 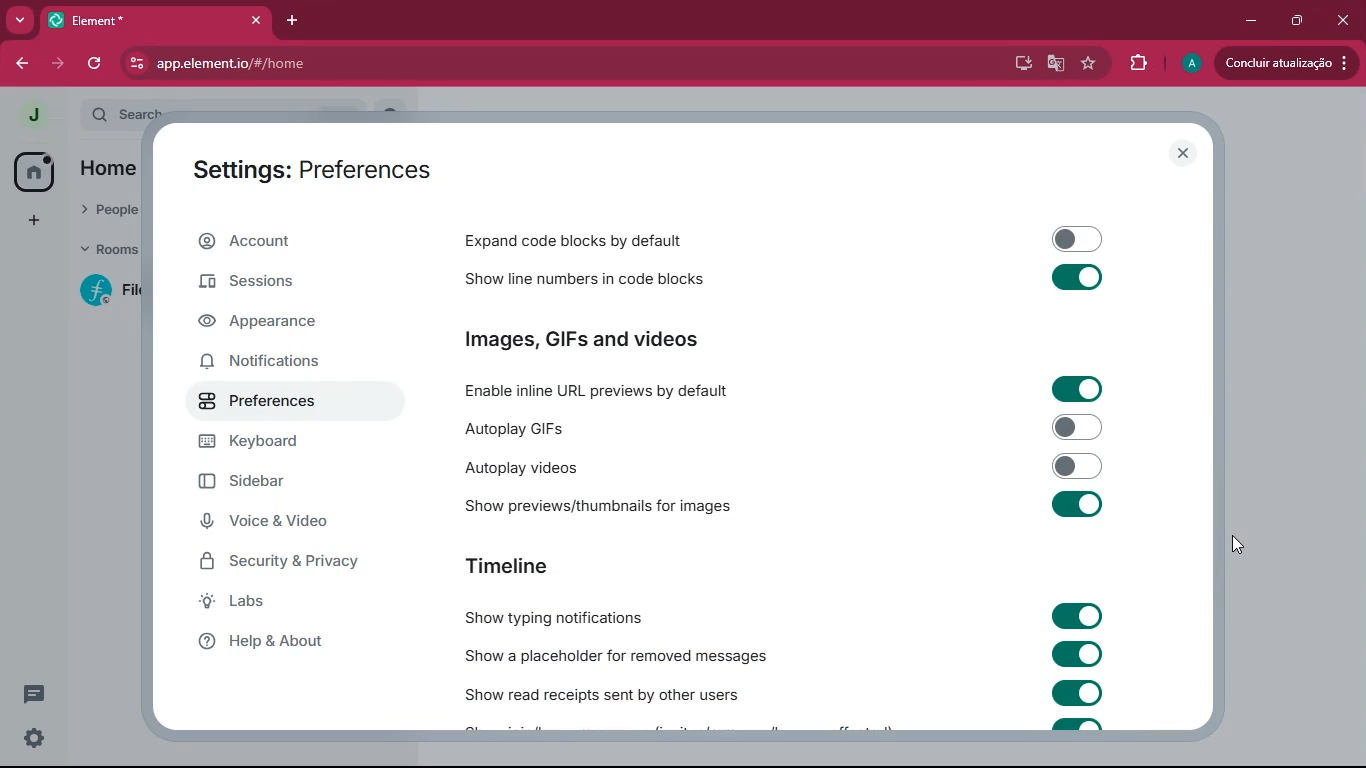 I want to click on show line numbers in code blocks, so click(x=601, y=280).